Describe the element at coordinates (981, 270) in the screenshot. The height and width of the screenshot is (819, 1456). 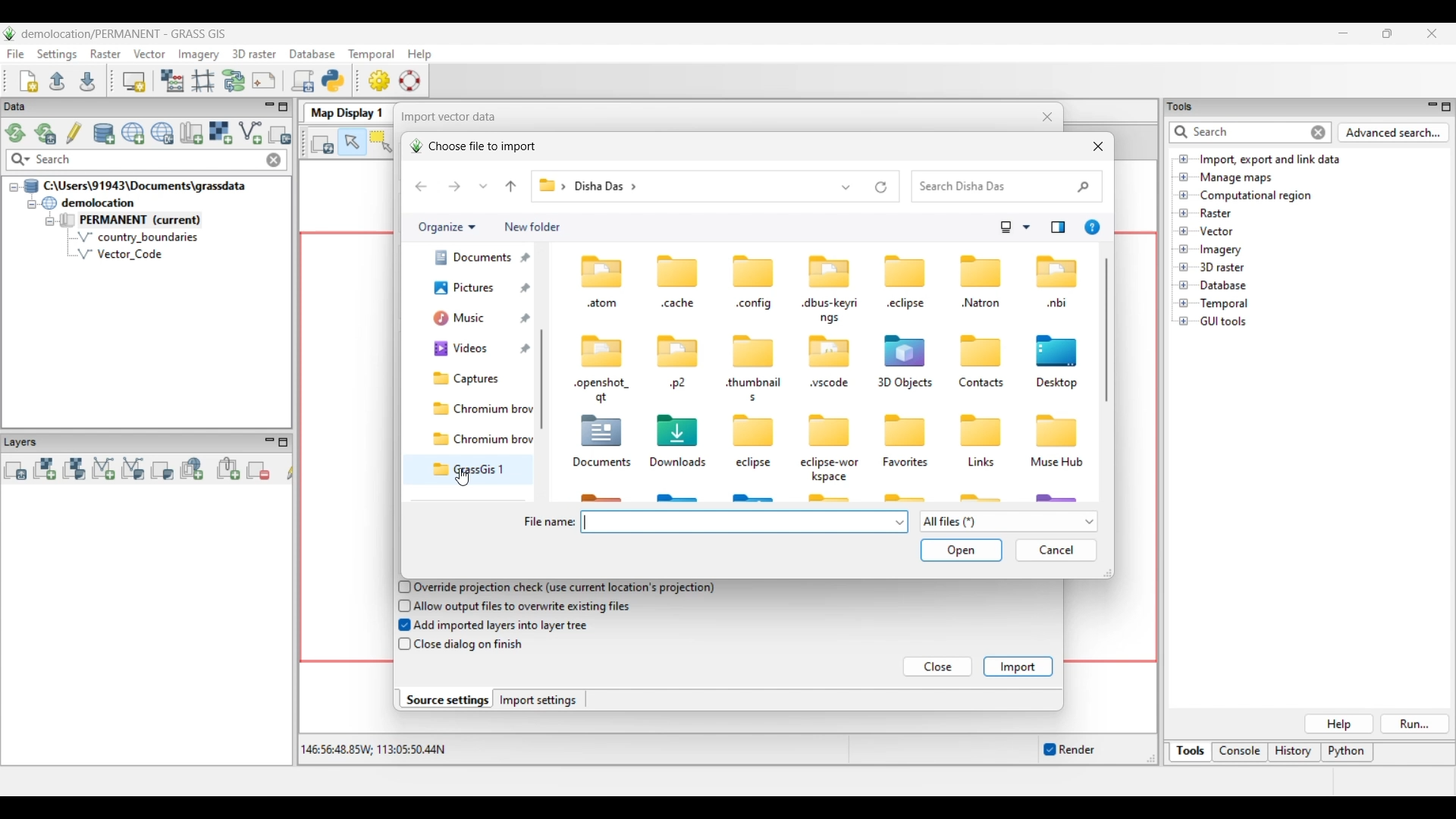
I see `icon` at that location.